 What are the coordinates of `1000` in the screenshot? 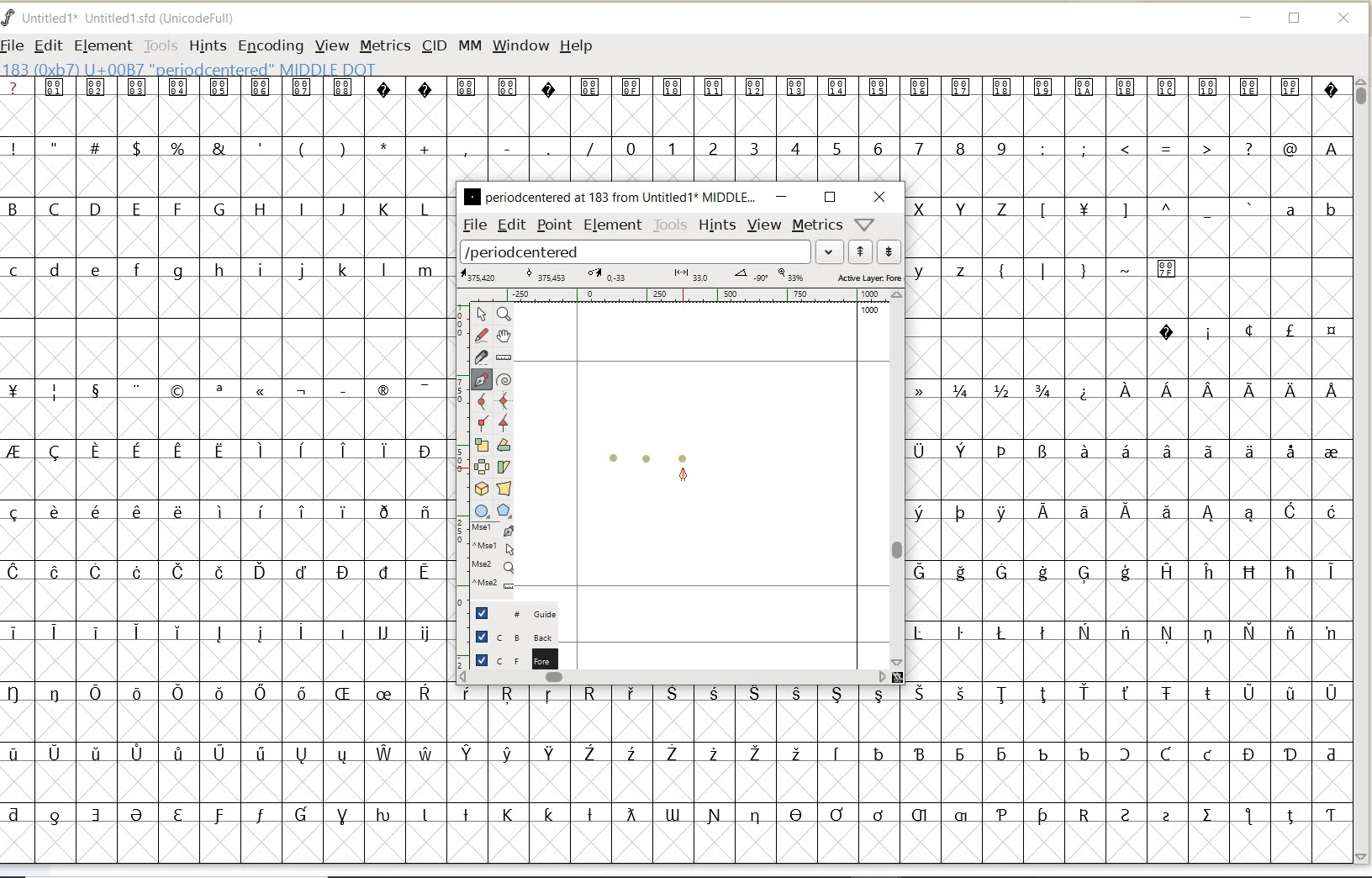 It's located at (870, 312).